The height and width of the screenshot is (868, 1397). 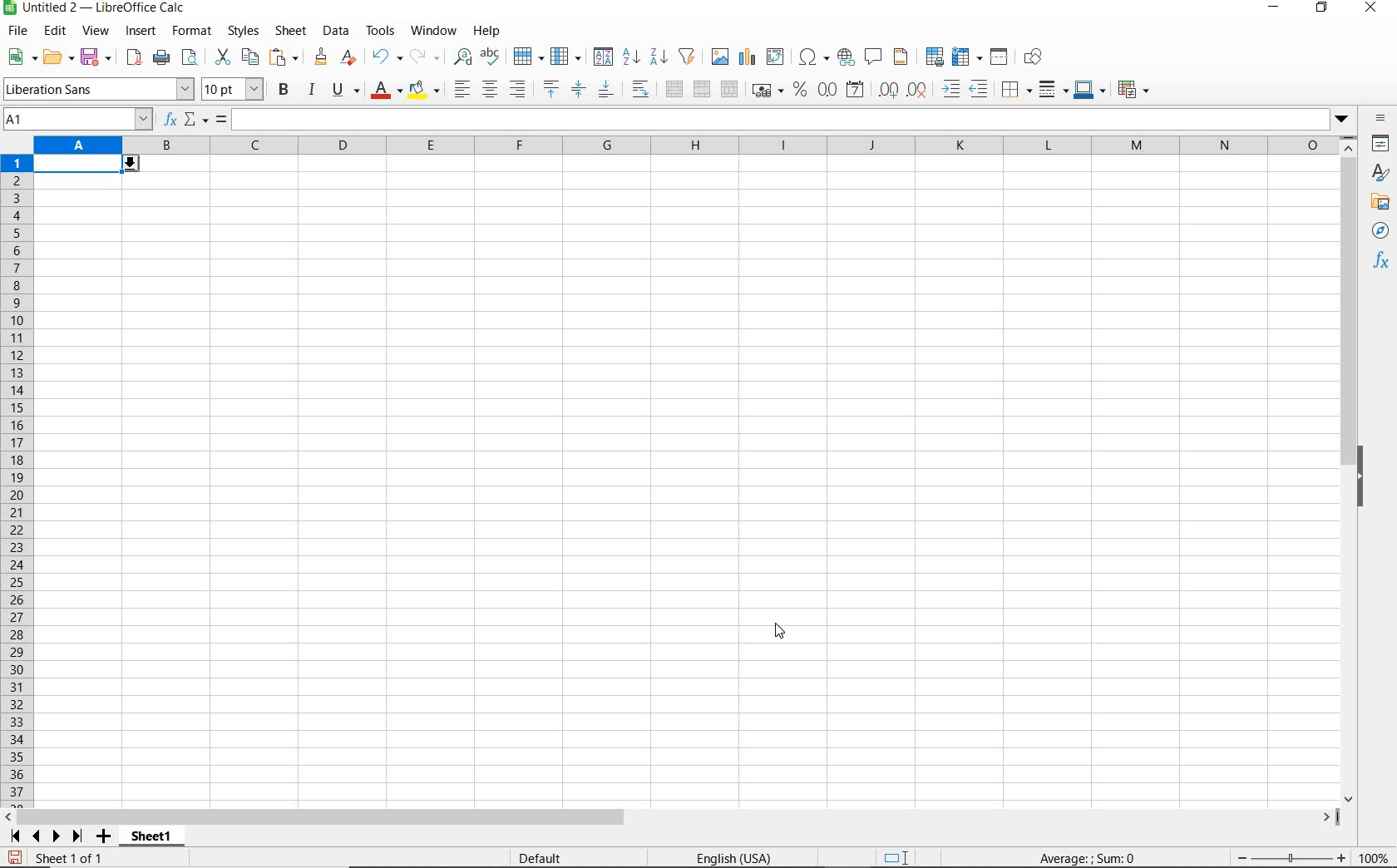 I want to click on sheet, so click(x=292, y=32).